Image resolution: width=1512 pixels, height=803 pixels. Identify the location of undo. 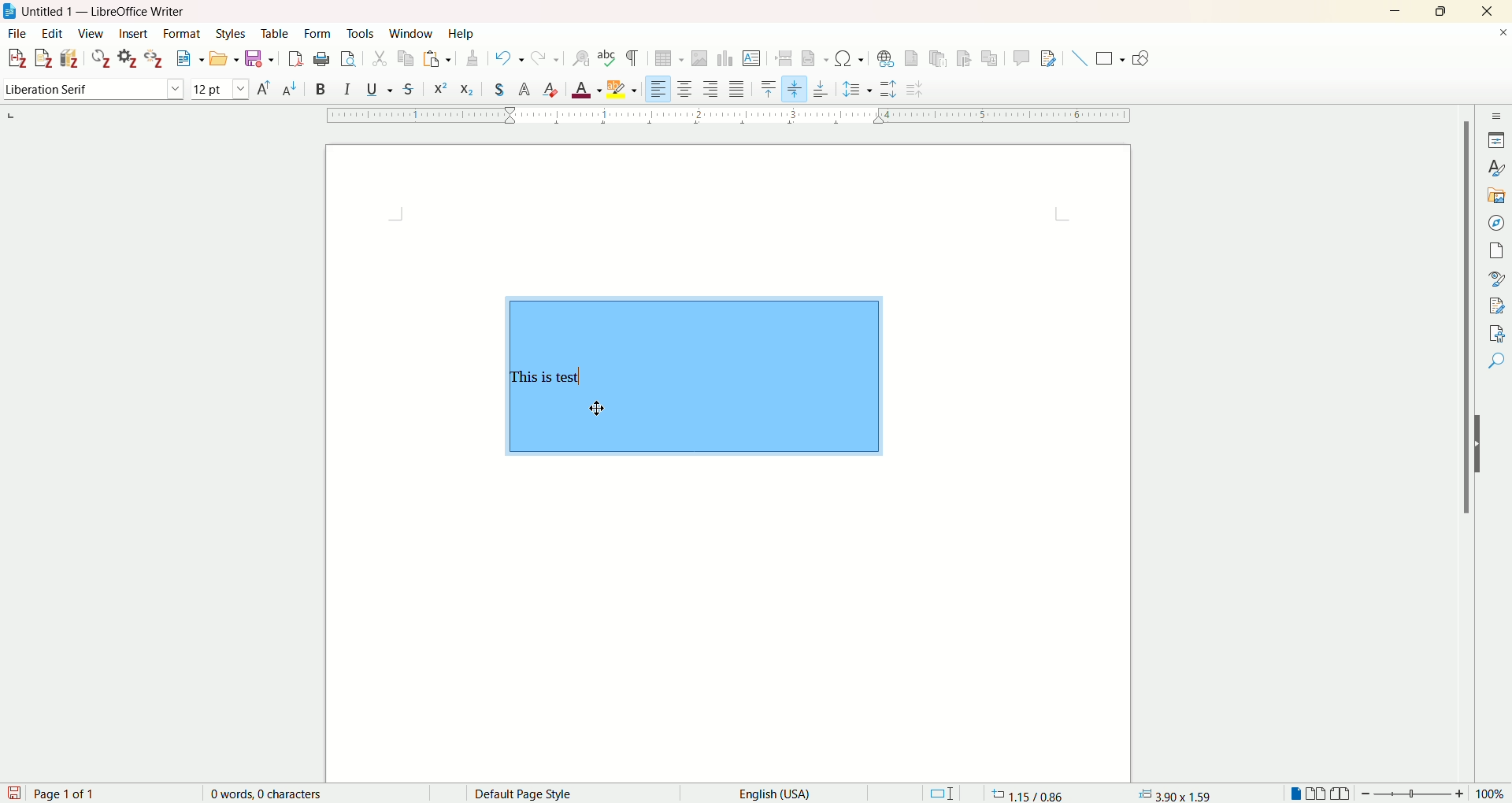
(507, 57).